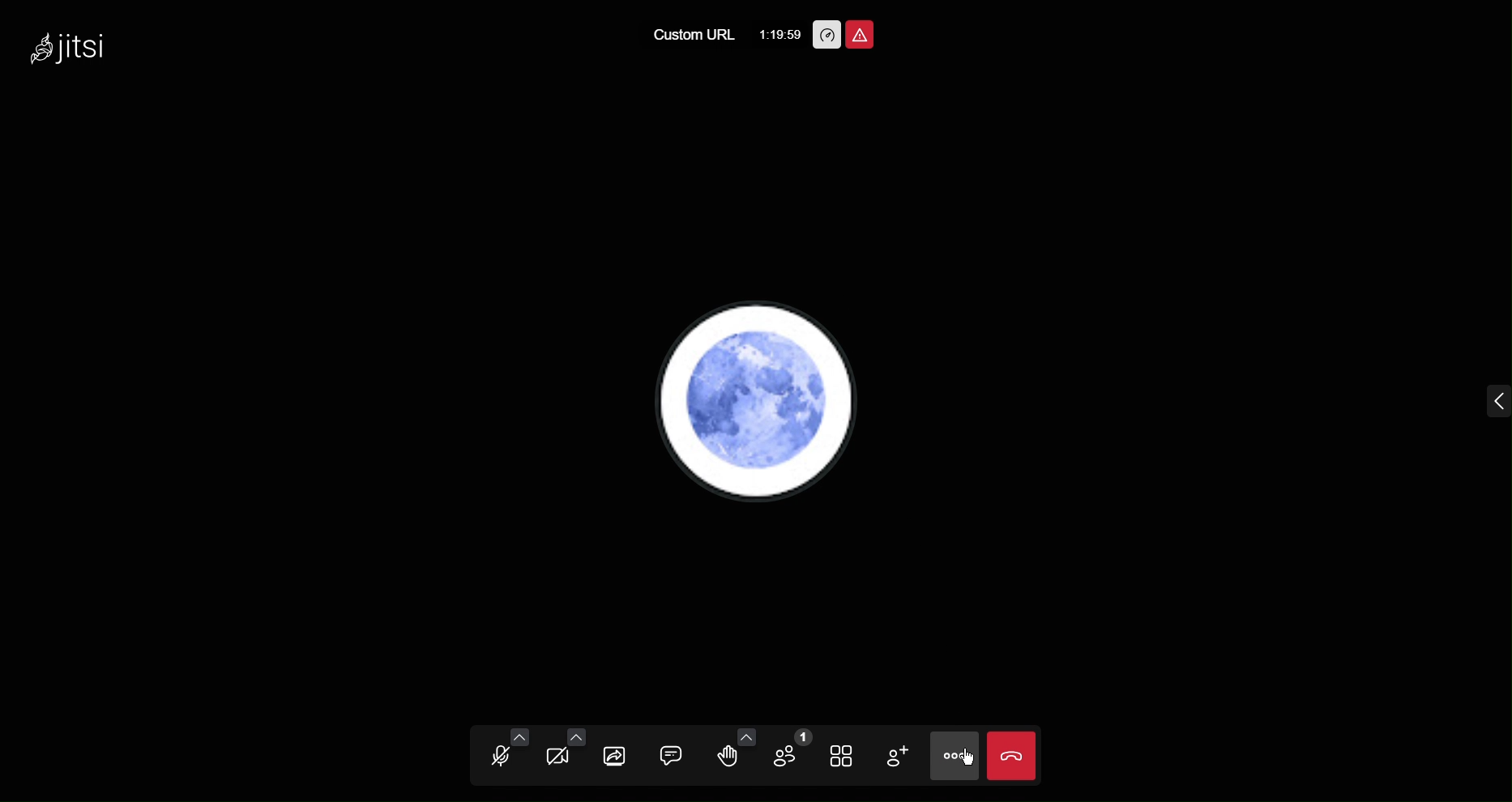 The width and height of the screenshot is (1512, 802). What do you see at coordinates (851, 757) in the screenshot?
I see `Tile View` at bounding box center [851, 757].